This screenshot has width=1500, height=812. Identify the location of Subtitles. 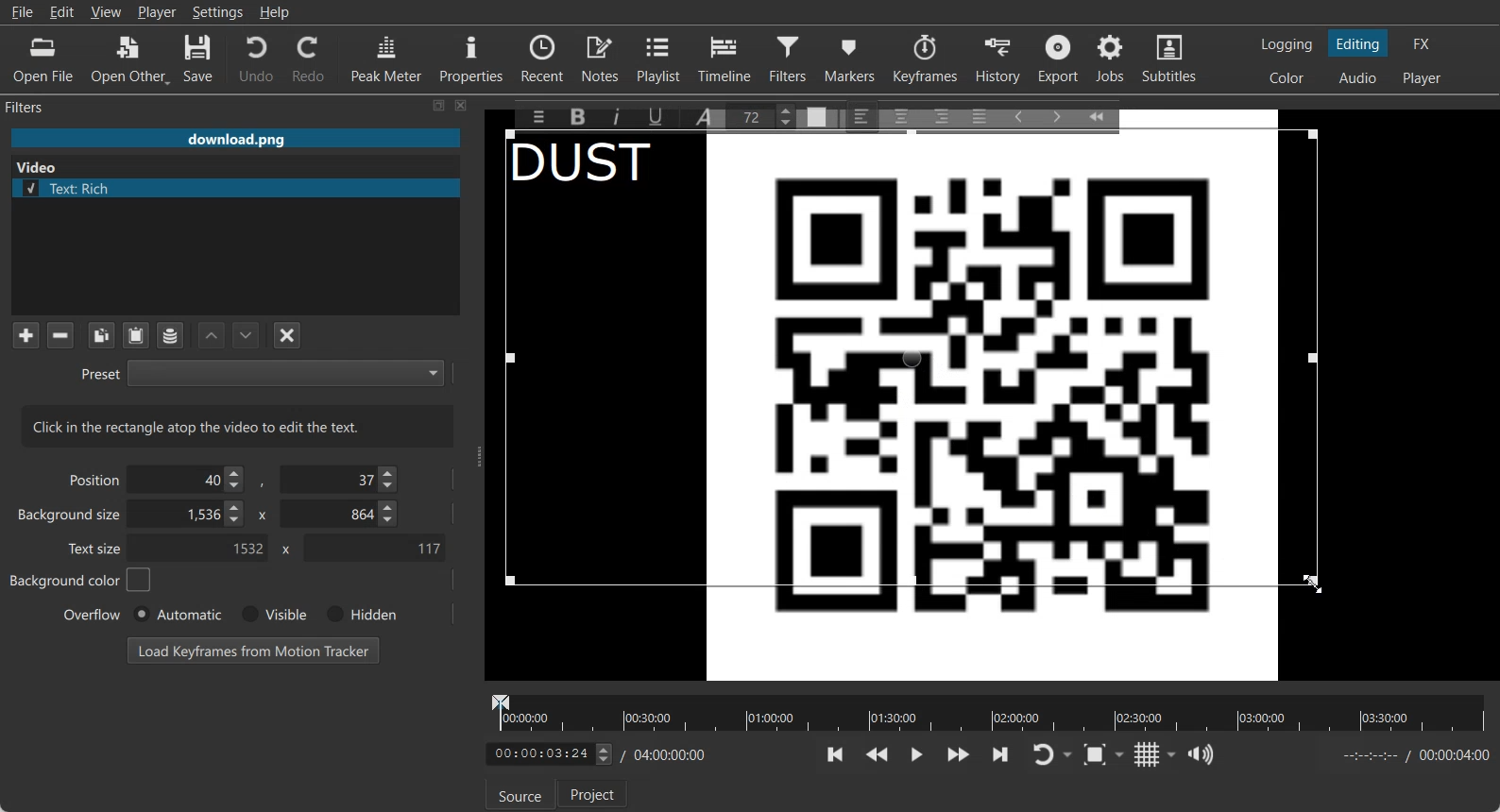
(1170, 59).